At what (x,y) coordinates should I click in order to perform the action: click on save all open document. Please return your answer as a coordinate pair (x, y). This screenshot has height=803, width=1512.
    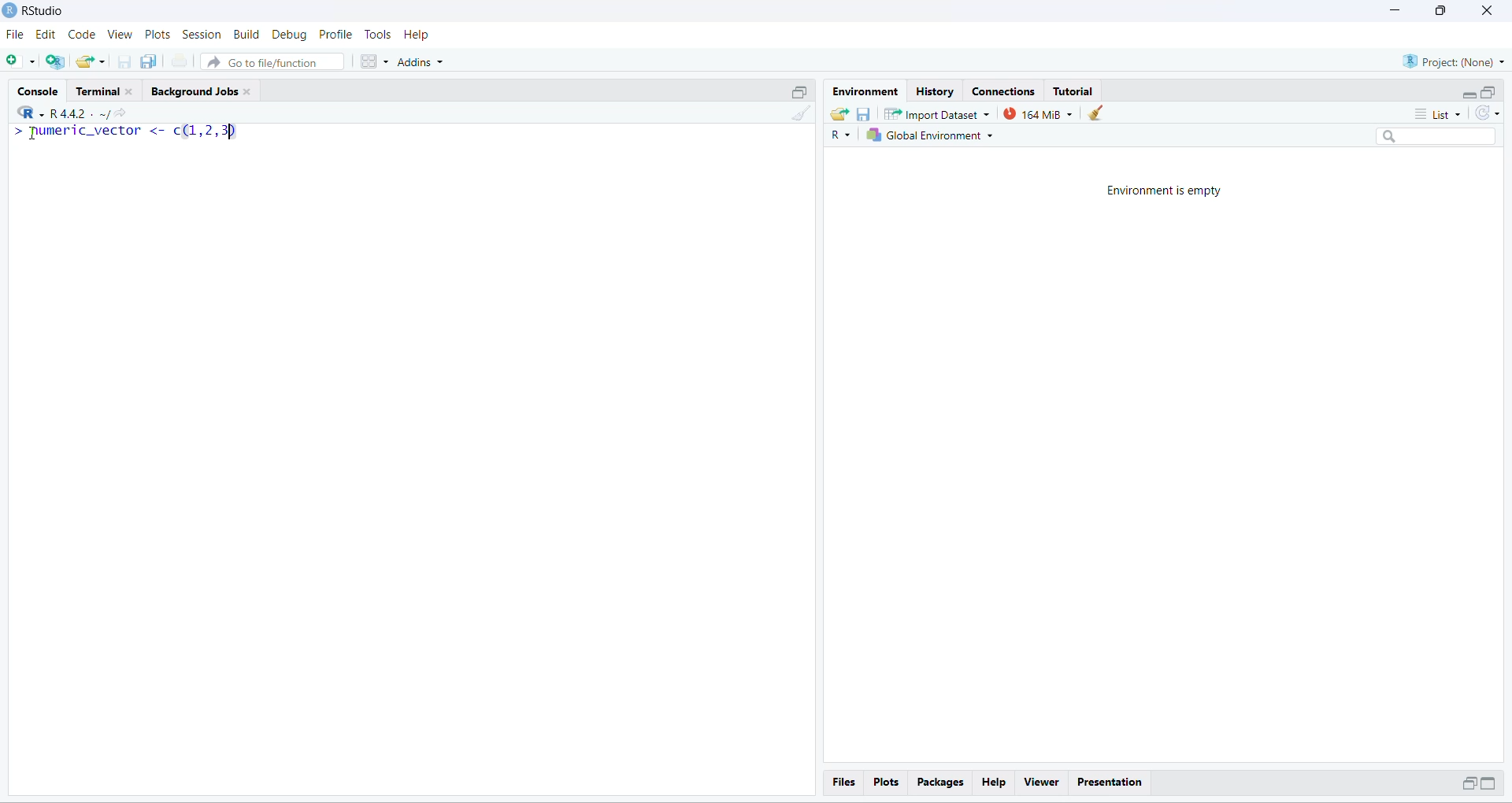
    Looking at the image, I should click on (150, 61).